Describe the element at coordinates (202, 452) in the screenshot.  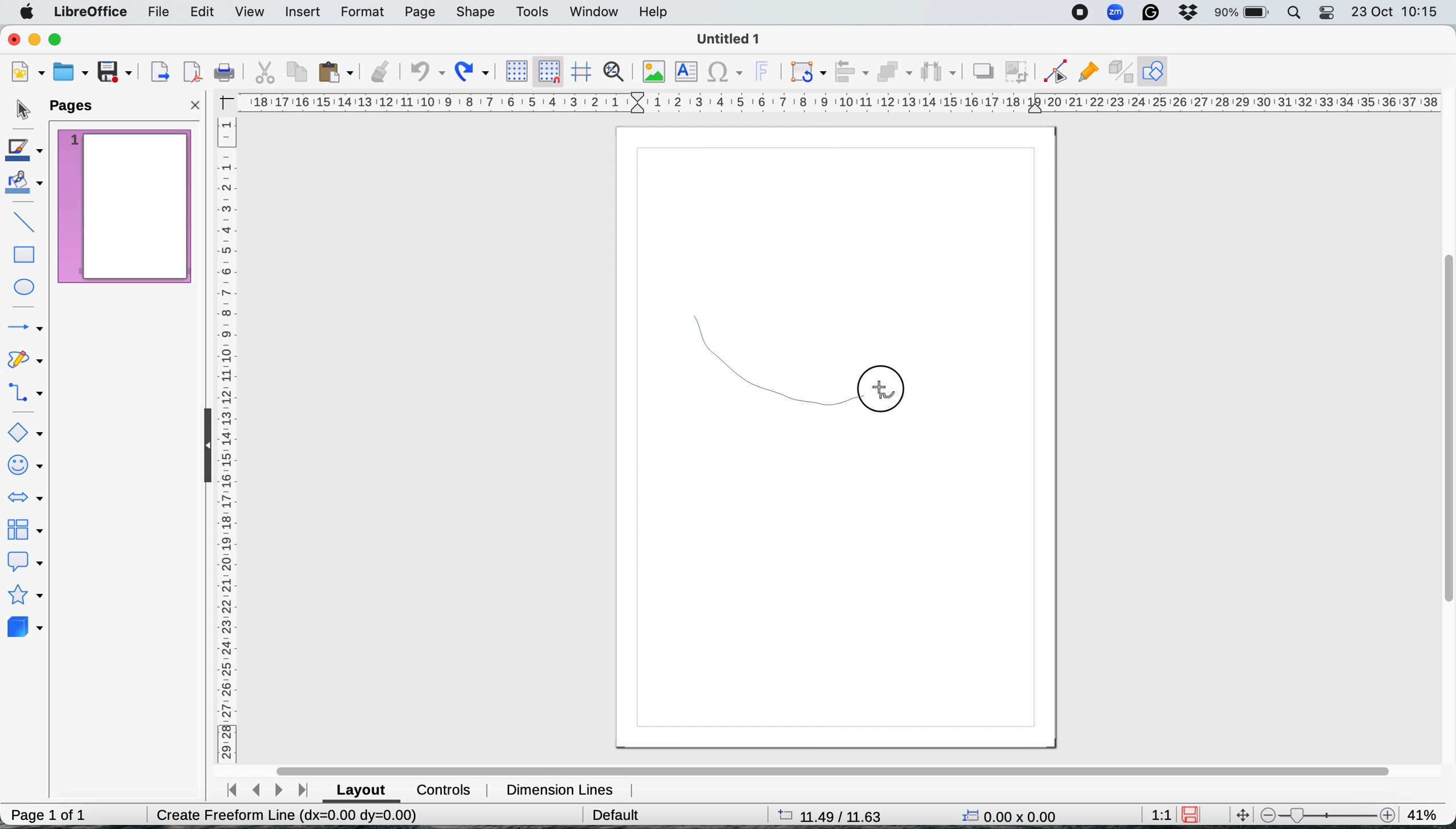
I see `collapse` at that location.